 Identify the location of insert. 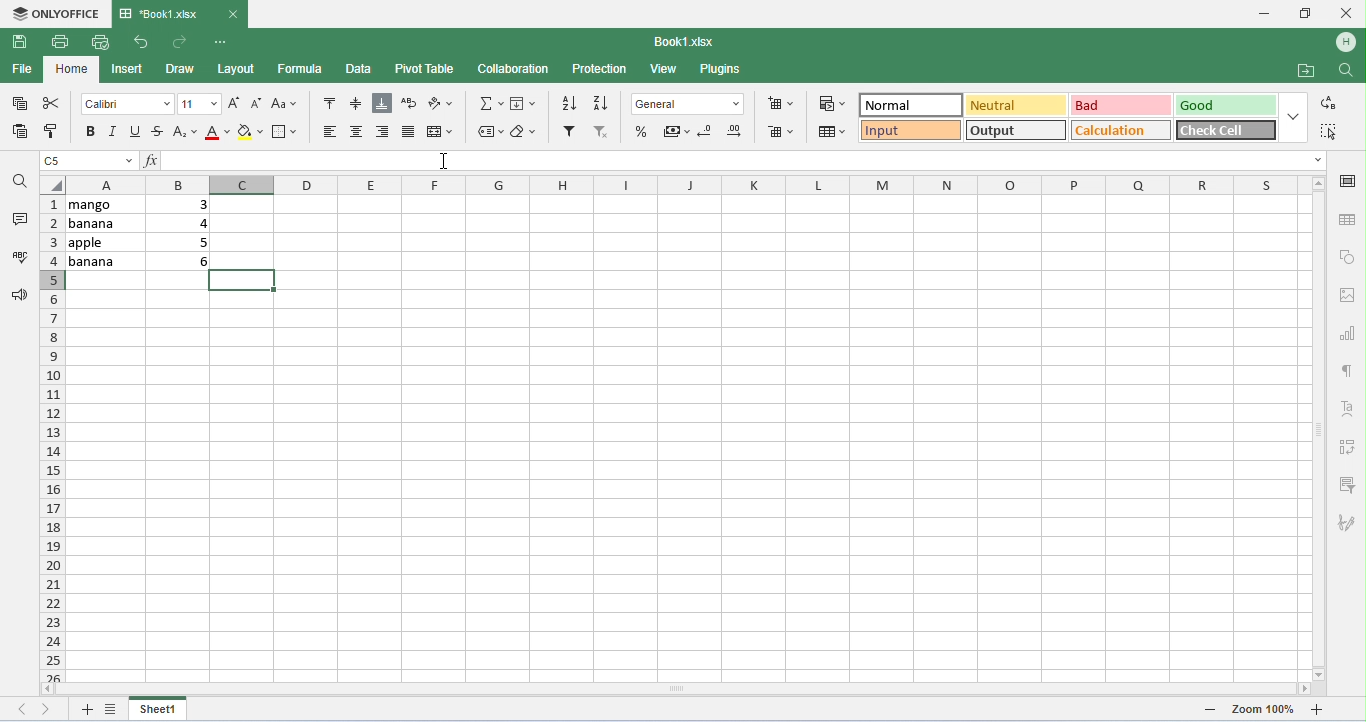
(128, 71).